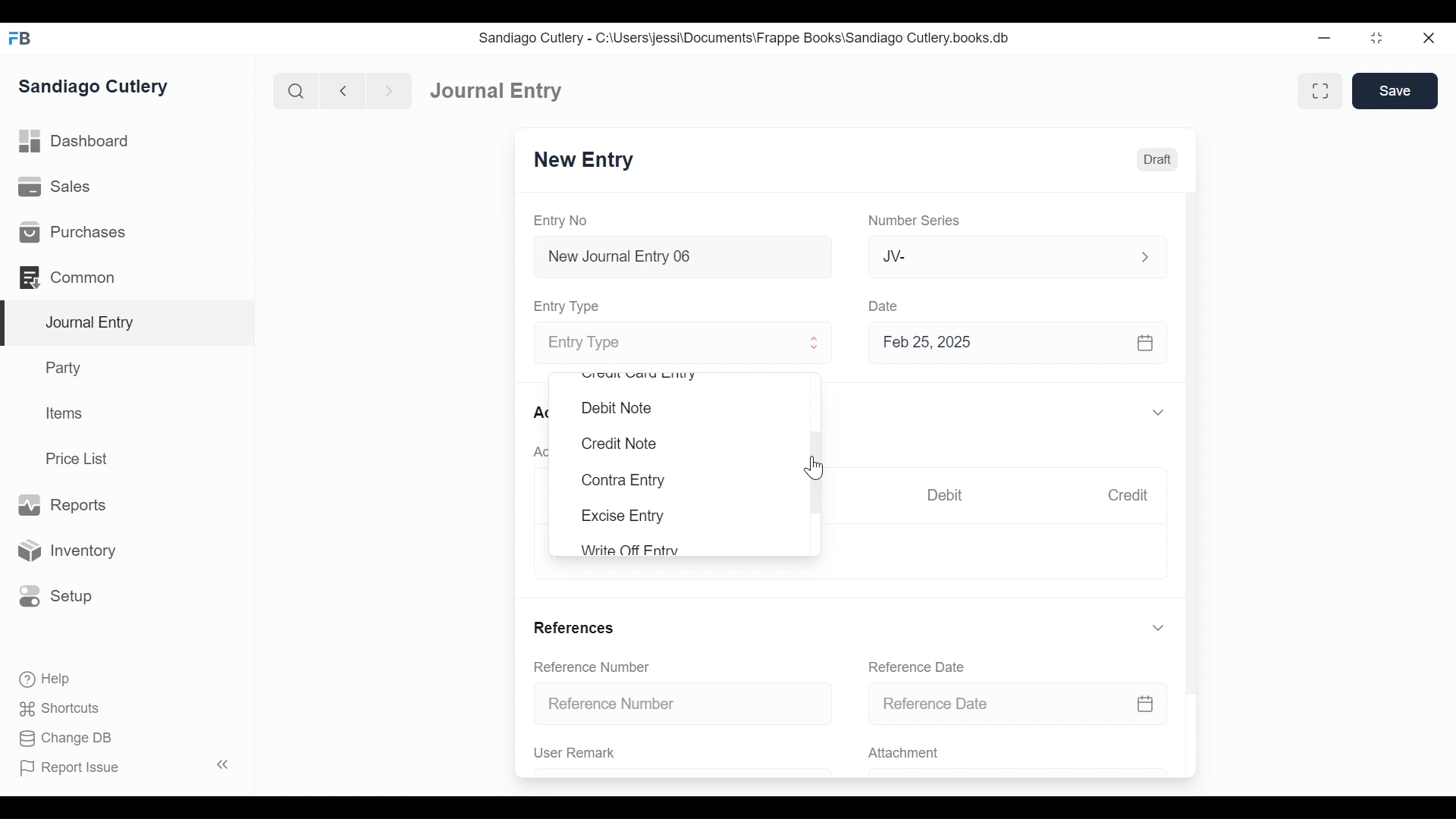 The image size is (1456, 819). What do you see at coordinates (64, 708) in the screenshot?
I see `Shortcuts` at bounding box center [64, 708].